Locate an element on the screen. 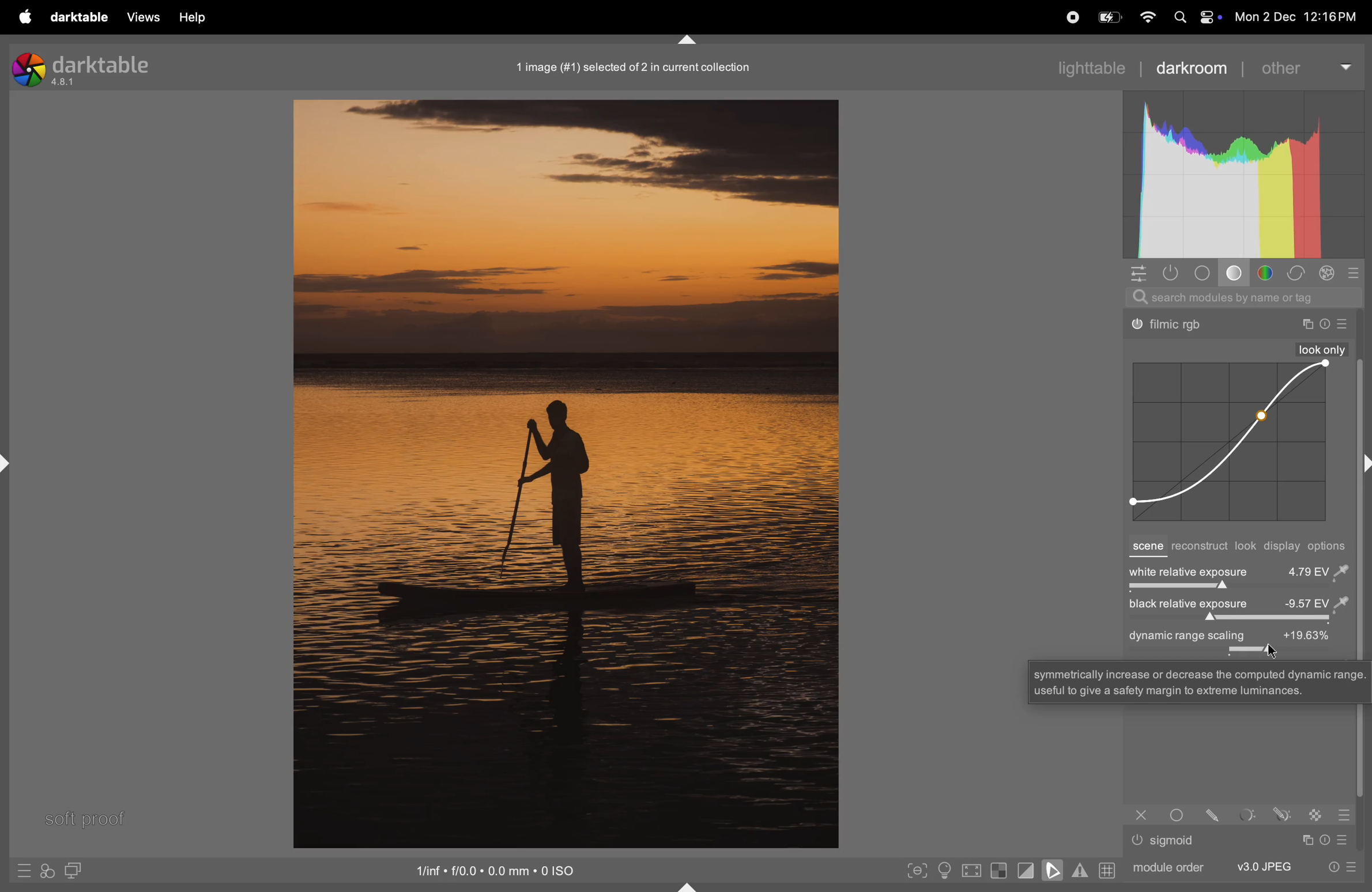 Image resolution: width=1372 pixels, height=892 pixels. options is located at coordinates (1330, 546).